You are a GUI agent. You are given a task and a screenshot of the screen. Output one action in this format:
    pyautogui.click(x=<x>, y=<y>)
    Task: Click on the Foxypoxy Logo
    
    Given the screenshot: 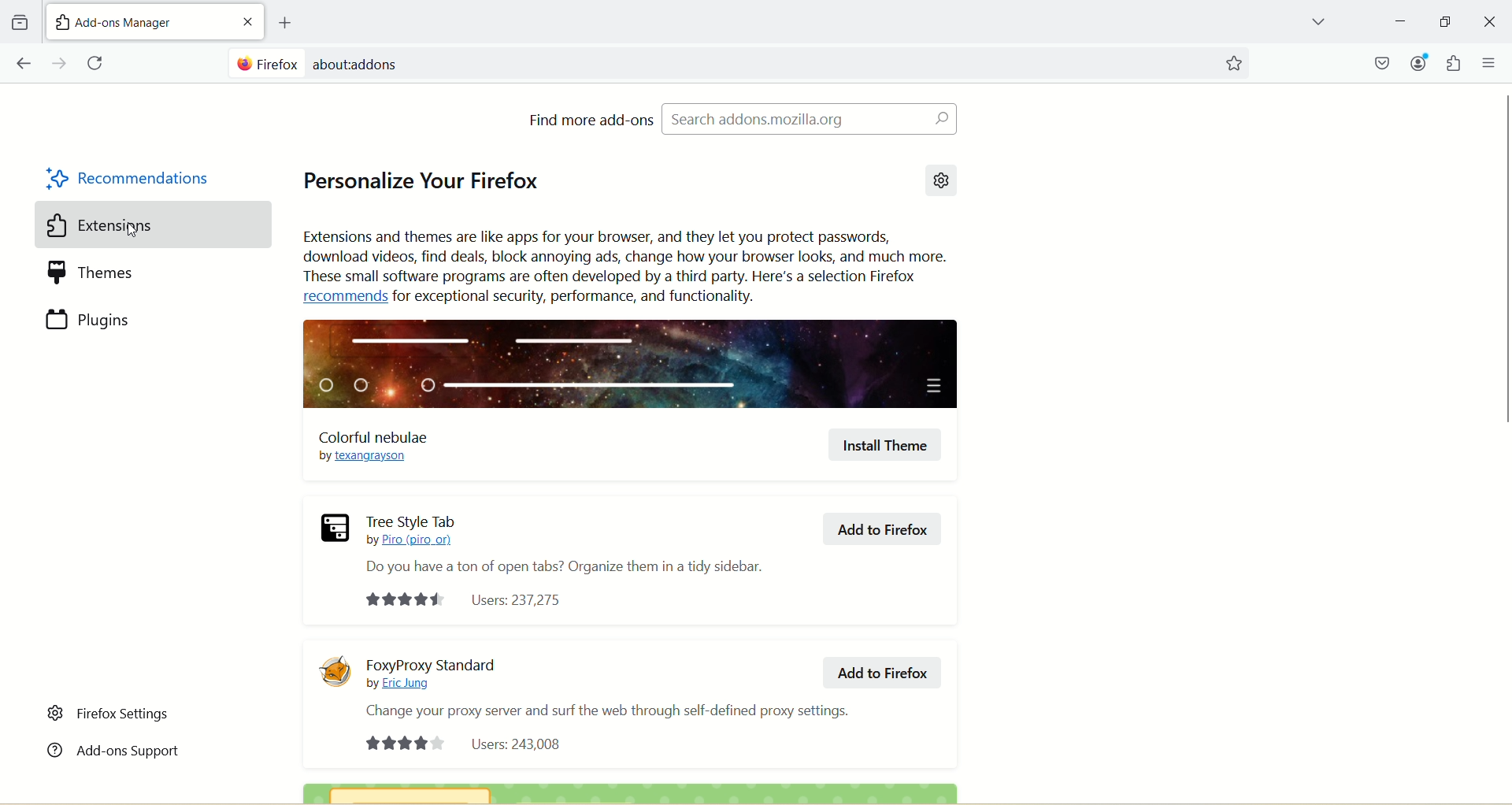 What is the action you would take?
    pyautogui.click(x=335, y=671)
    